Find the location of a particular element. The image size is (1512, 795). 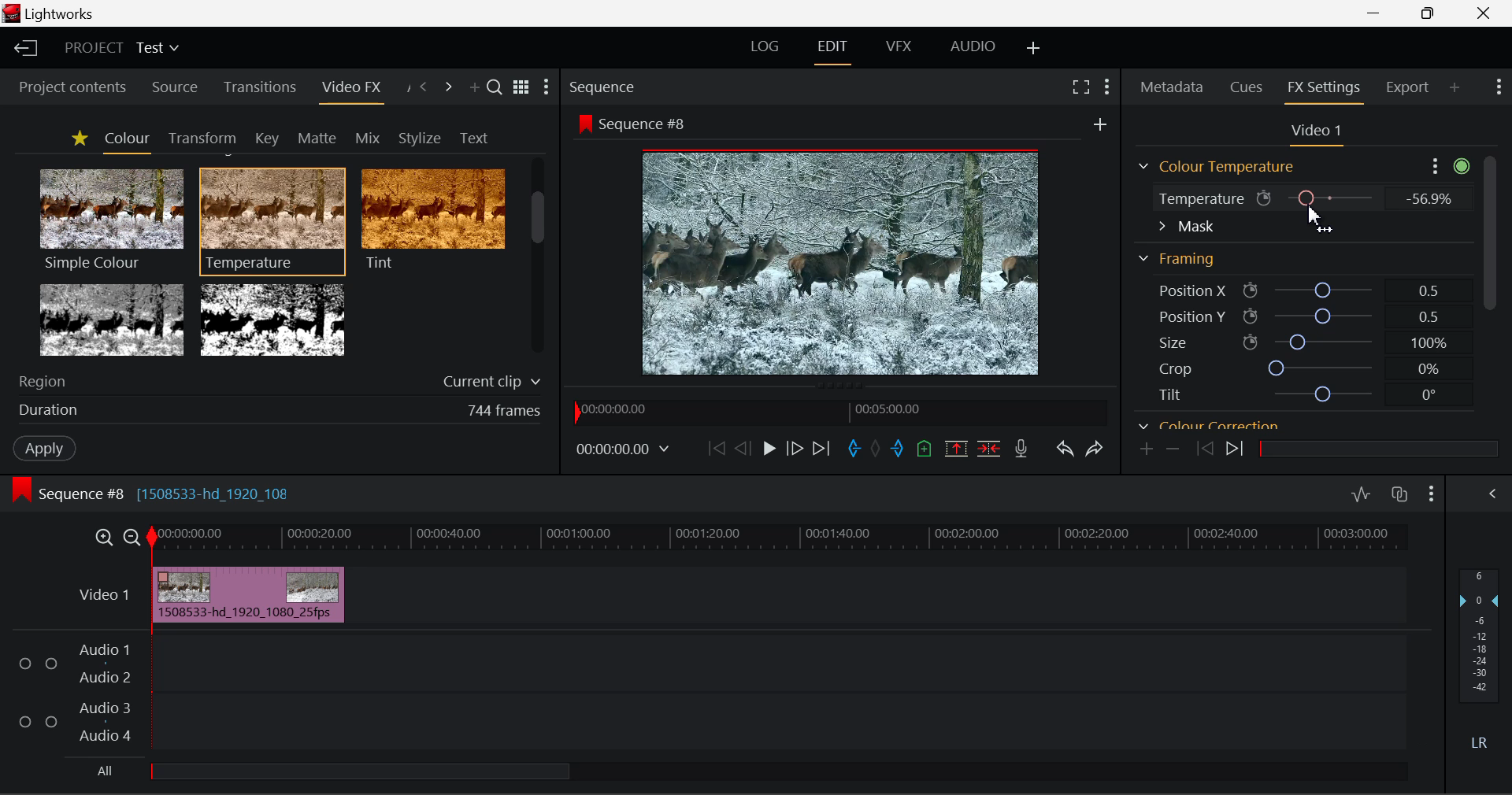

Sequence Preview Section is located at coordinates (605, 89).